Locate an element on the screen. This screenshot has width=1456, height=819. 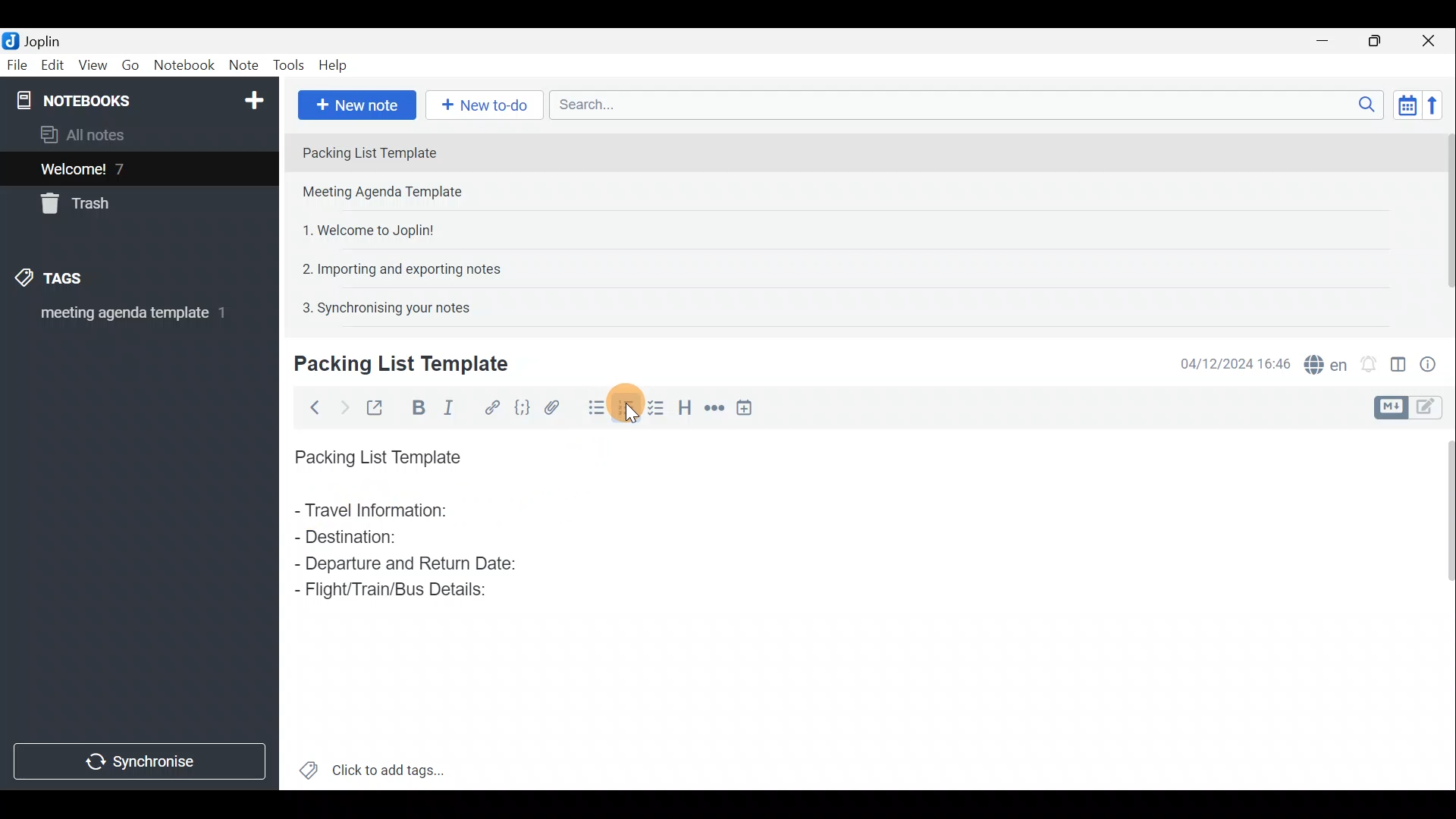
Edit is located at coordinates (49, 66).